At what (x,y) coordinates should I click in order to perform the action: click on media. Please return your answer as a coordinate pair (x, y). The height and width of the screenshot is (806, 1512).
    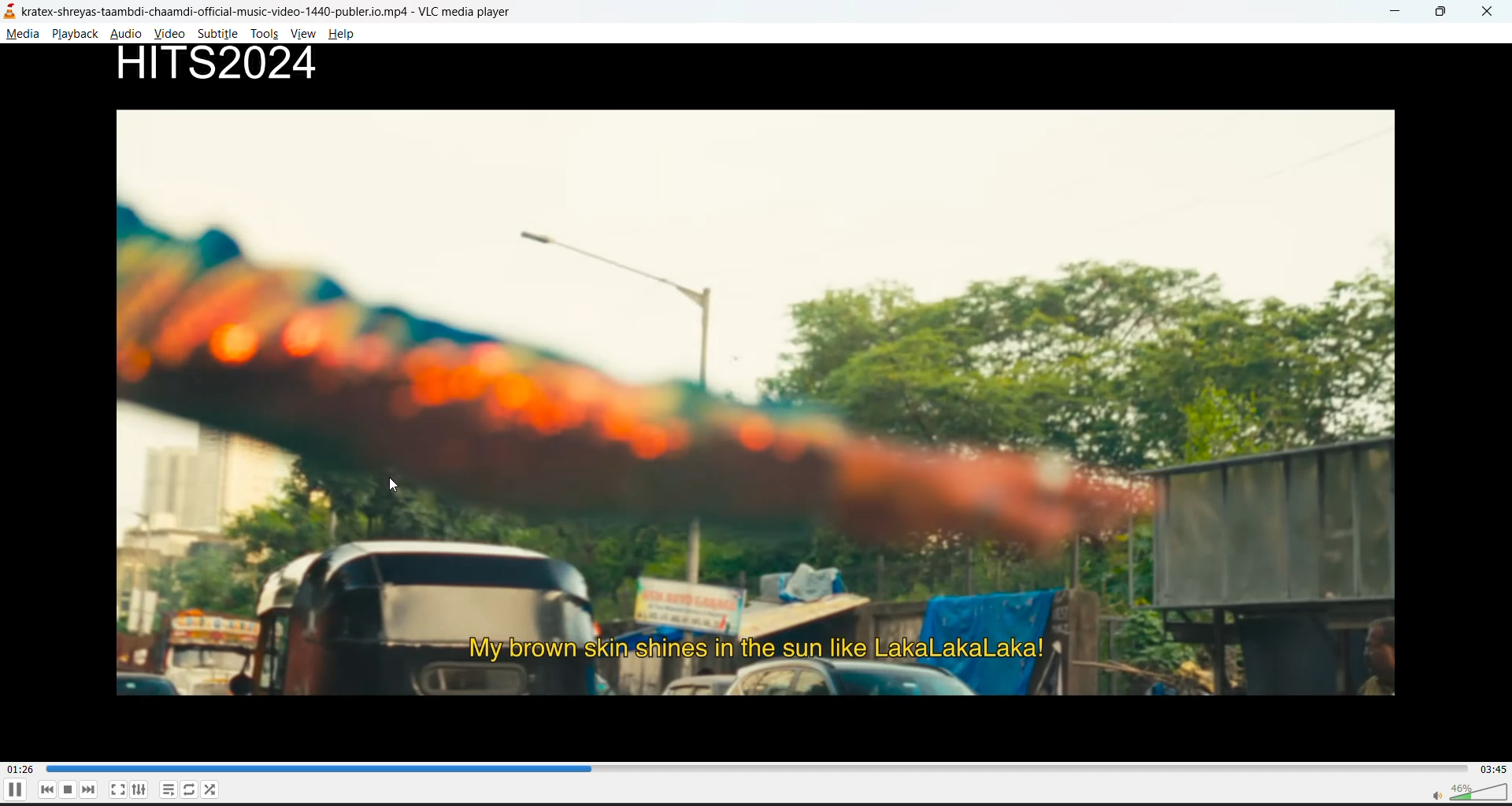
    Looking at the image, I should click on (24, 37).